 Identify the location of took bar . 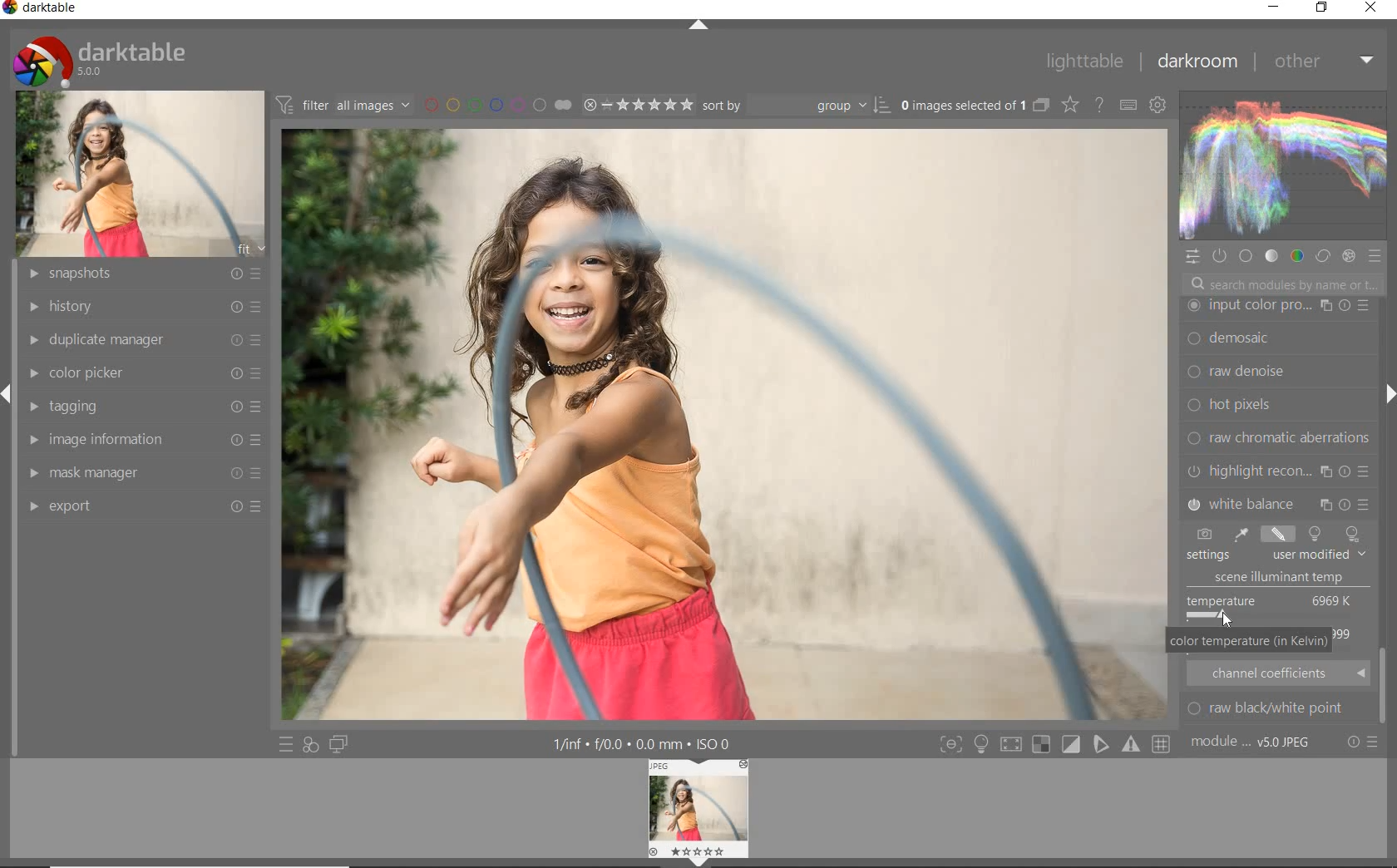
(1385, 688).